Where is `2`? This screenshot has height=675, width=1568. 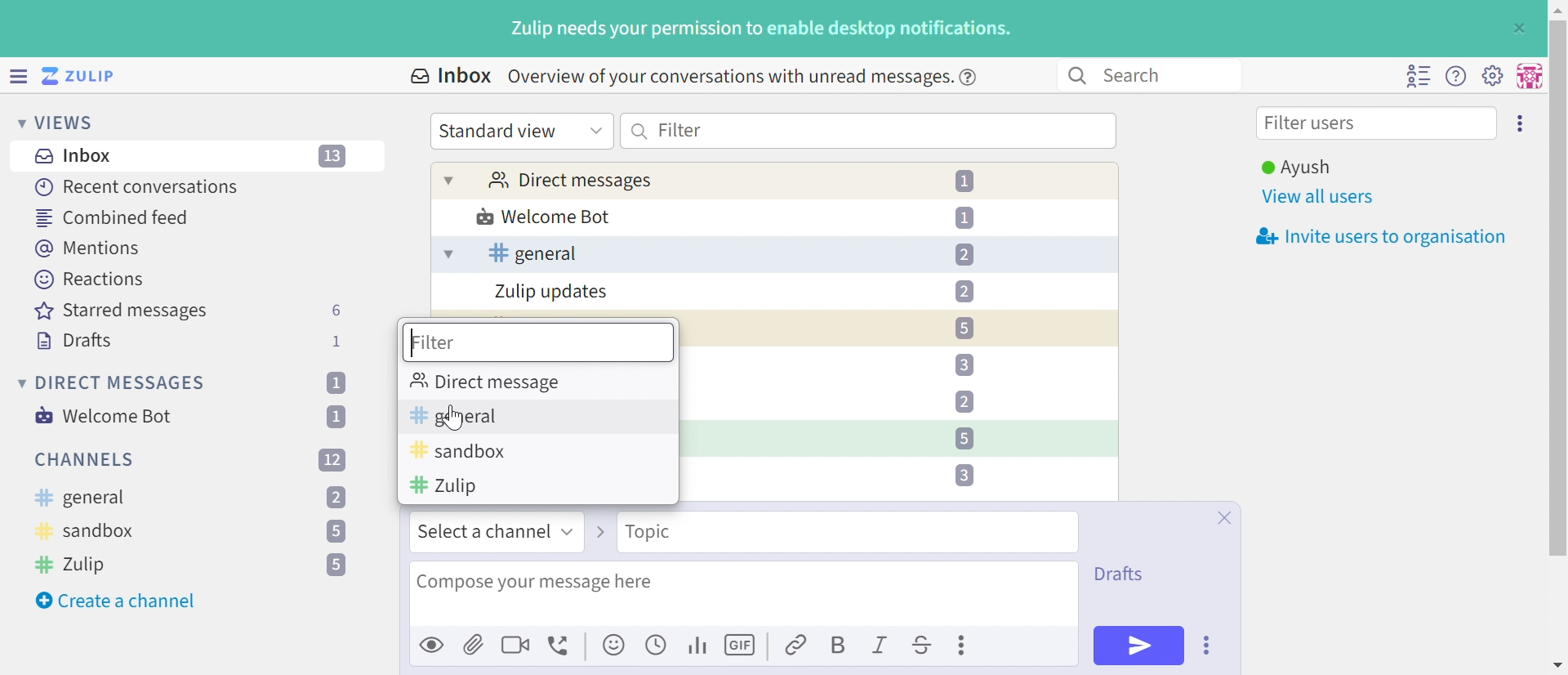 2 is located at coordinates (964, 401).